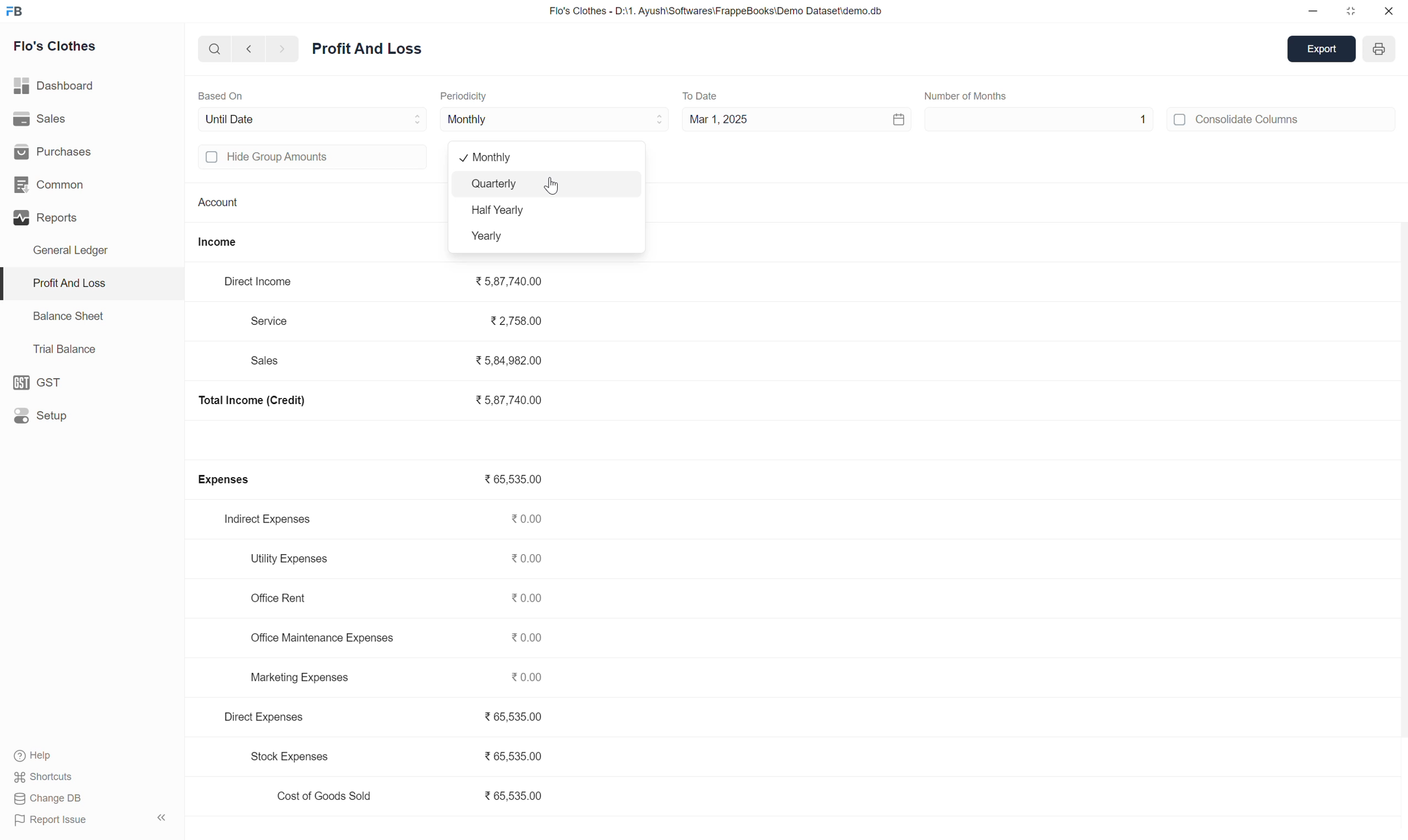 The image size is (1408, 840). What do you see at coordinates (41, 752) in the screenshot?
I see `? Help` at bounding box center [41, 752].